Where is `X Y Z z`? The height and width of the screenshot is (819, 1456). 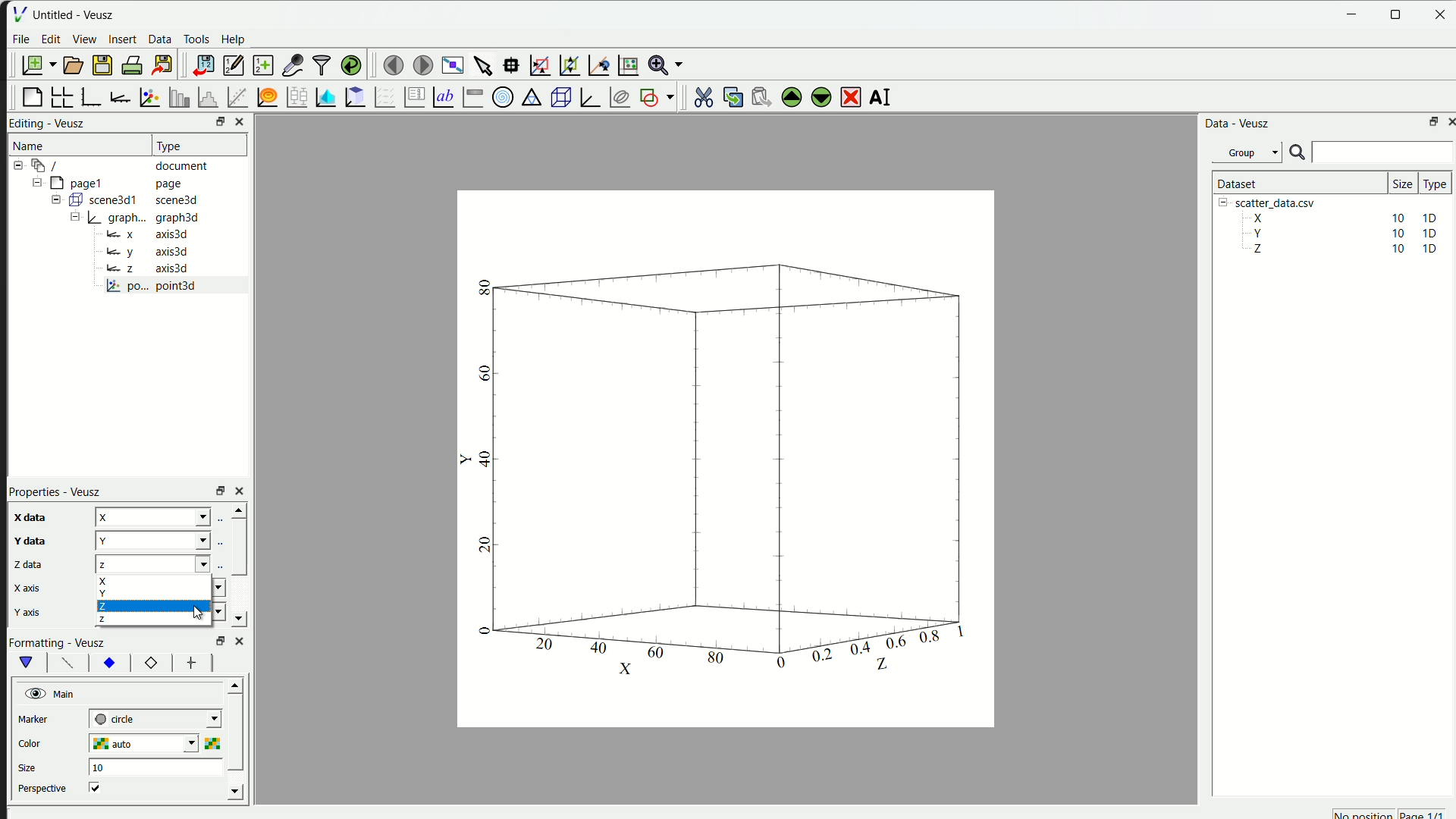 X Y Z z is located at coordinates (160, 601).